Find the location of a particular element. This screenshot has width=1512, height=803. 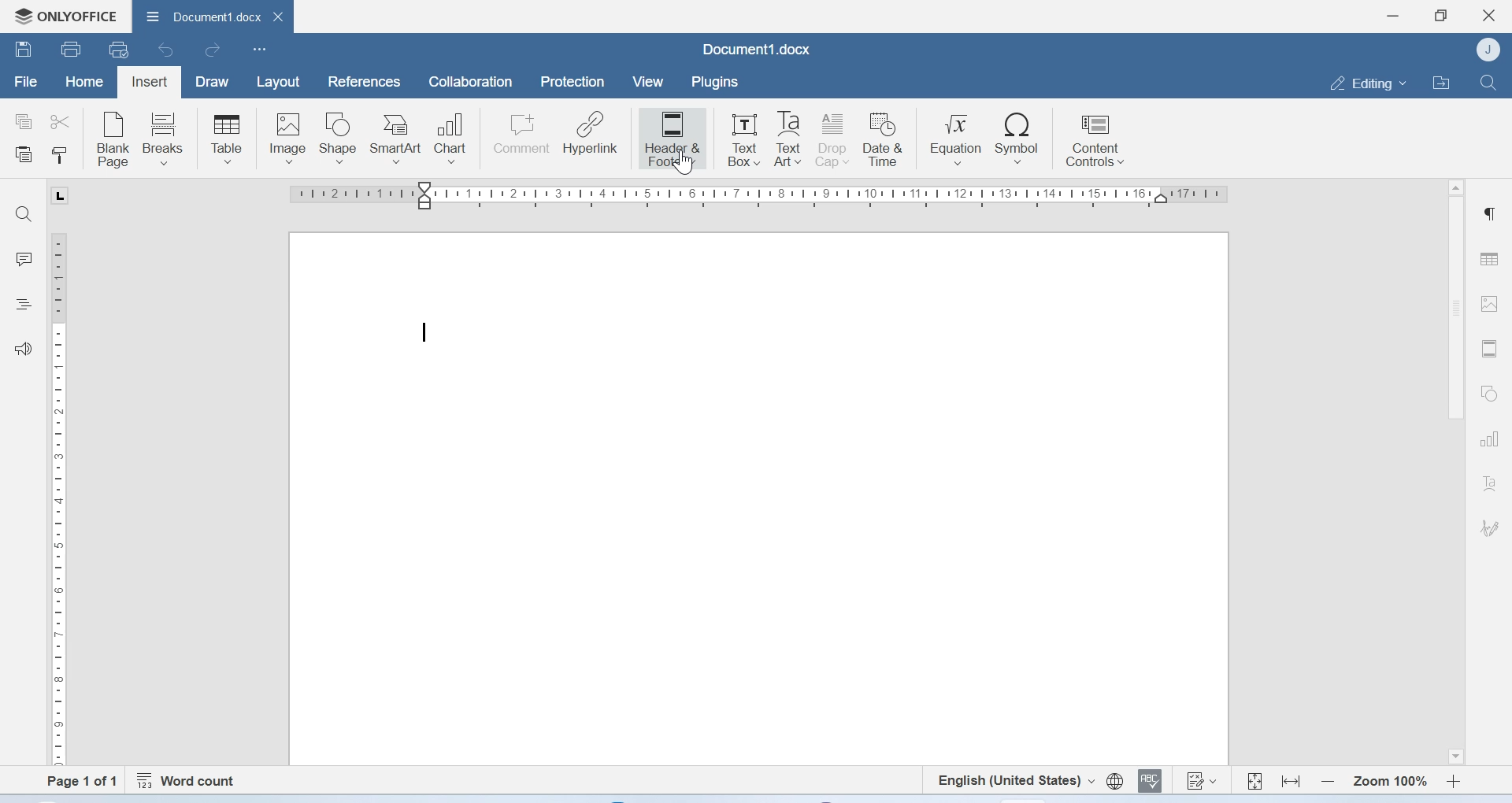

Blank page is located at coordinates (114, 138).